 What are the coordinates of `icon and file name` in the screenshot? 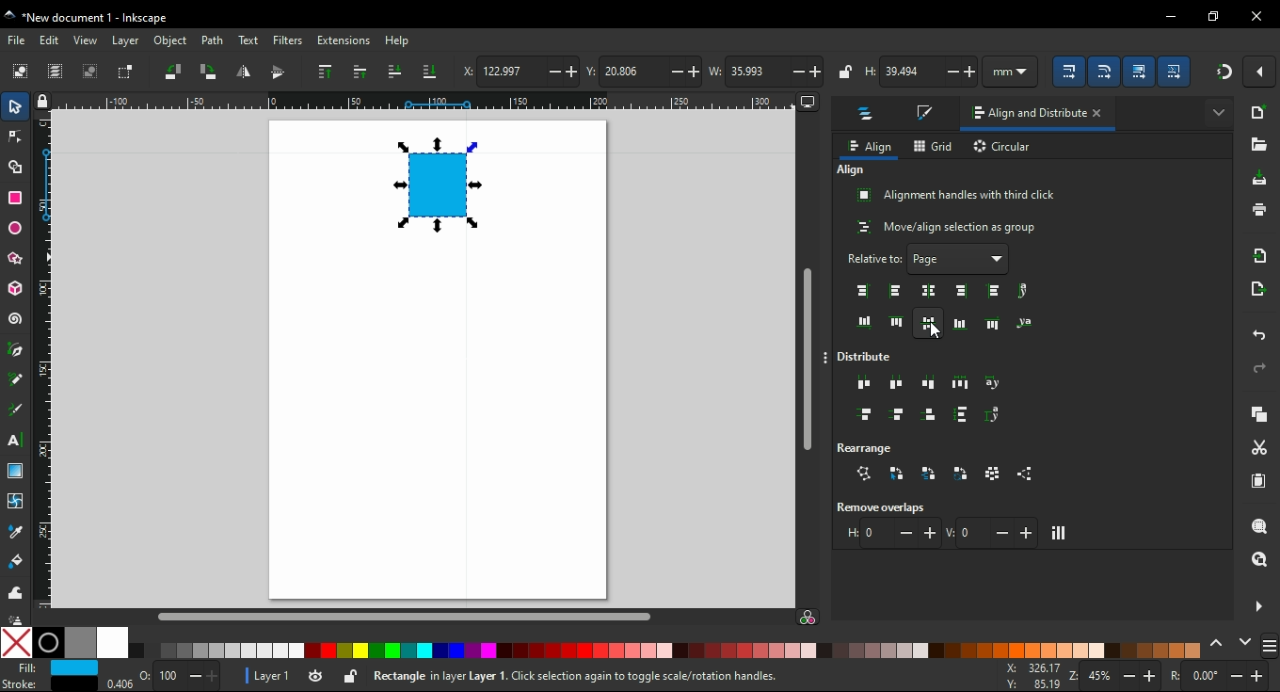 It's located at (92, 18).